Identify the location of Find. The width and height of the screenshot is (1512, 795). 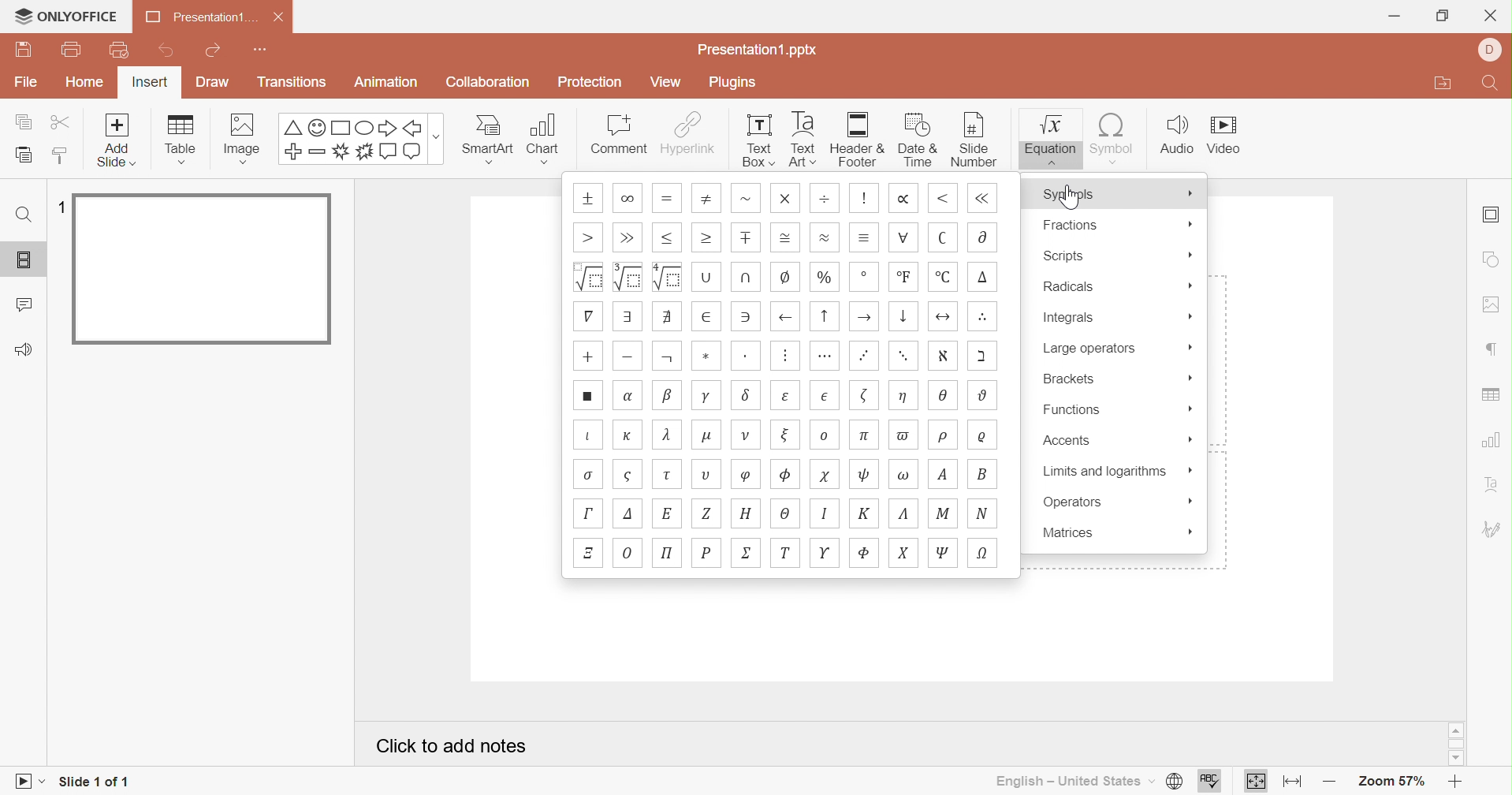
(27, 216).